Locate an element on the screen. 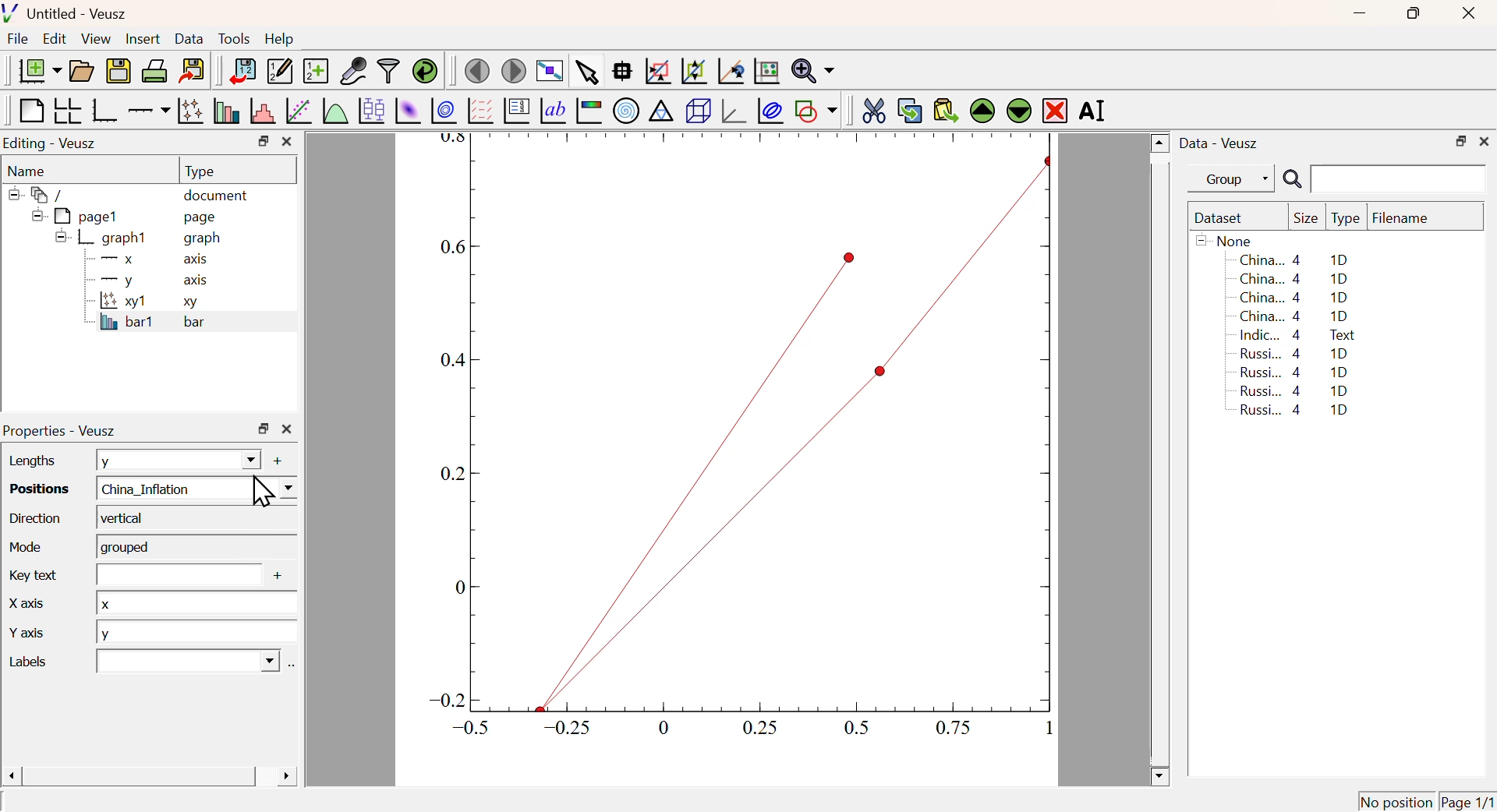 The width and height of the screenshot is (1497, 812). Click to reset graph axes is located at coordinates (728, 72).